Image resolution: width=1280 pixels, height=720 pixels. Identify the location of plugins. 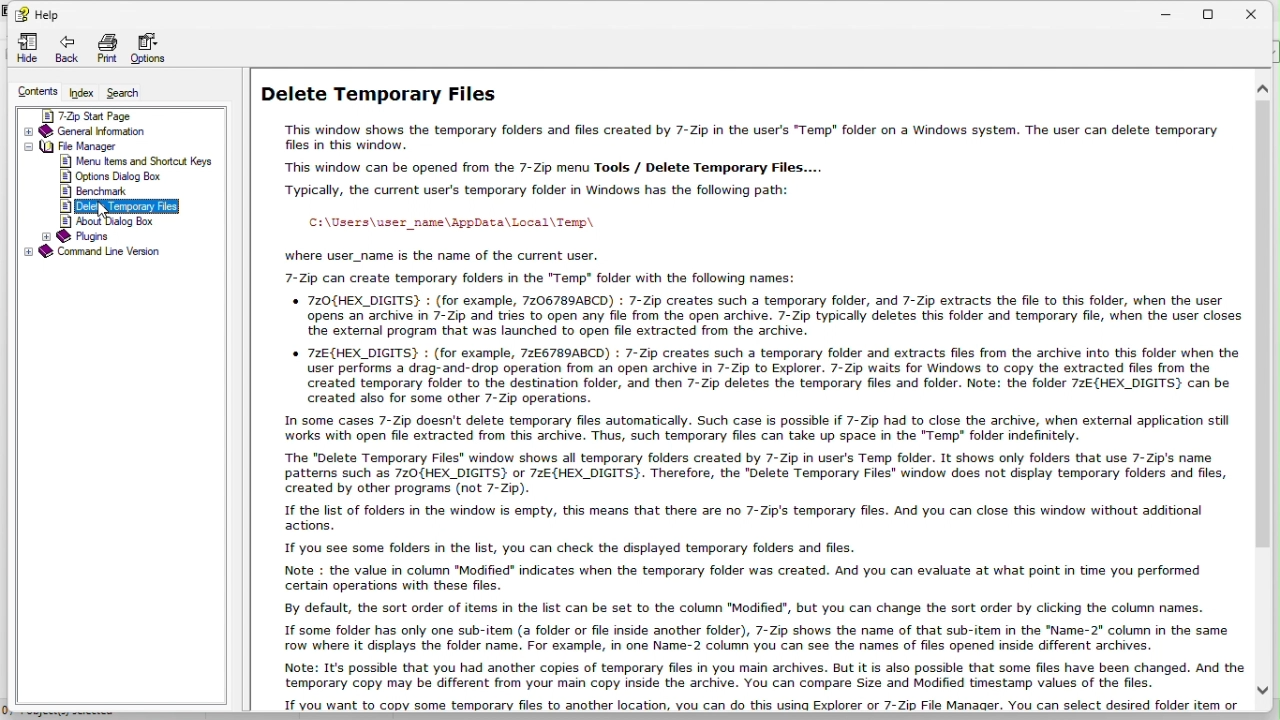
(91, 236).